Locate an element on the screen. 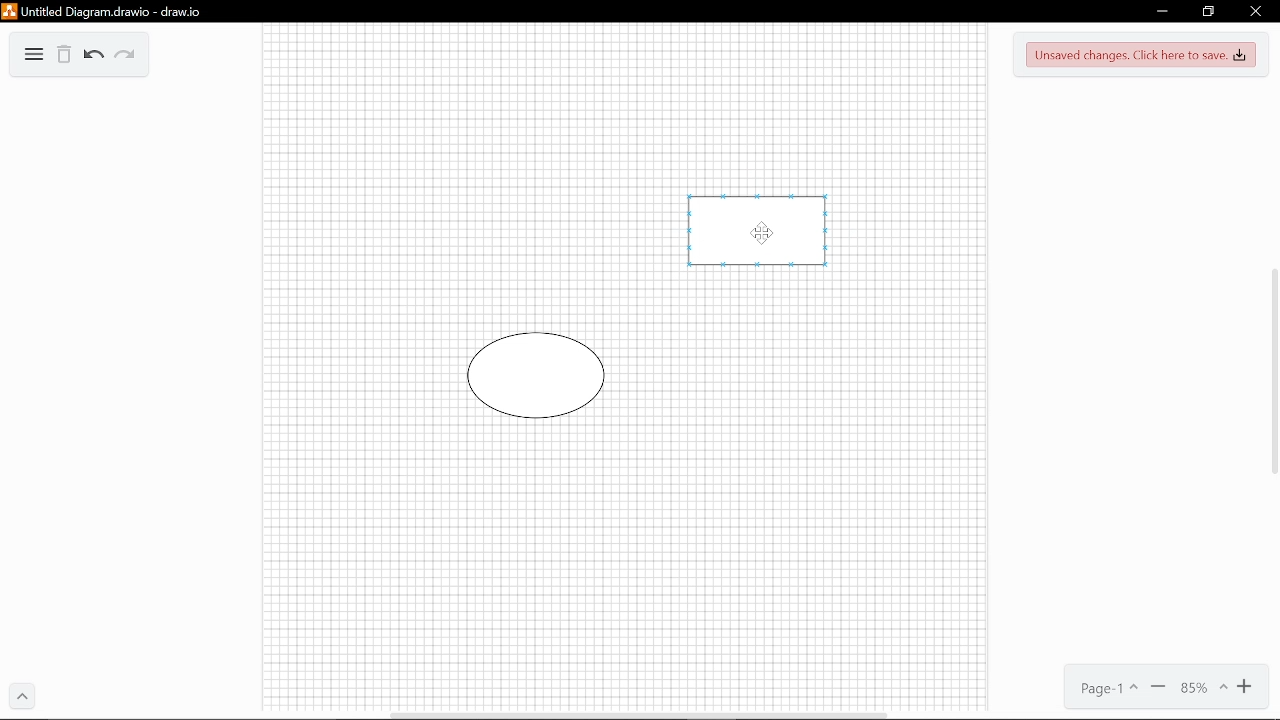  Expand menu is located at coordinates (23, 698).